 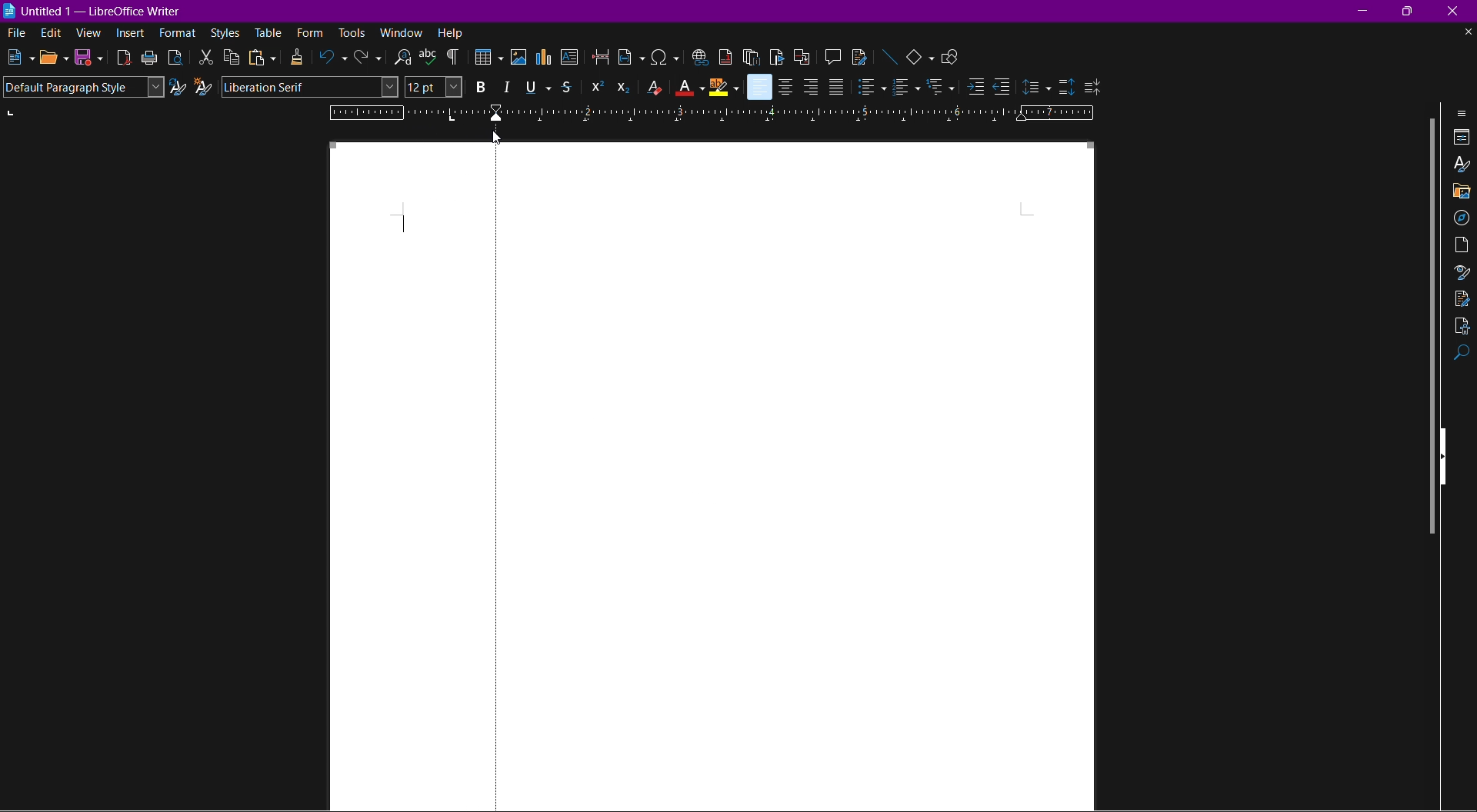 I want to click on Gallery, so click(x=1462, y=191).